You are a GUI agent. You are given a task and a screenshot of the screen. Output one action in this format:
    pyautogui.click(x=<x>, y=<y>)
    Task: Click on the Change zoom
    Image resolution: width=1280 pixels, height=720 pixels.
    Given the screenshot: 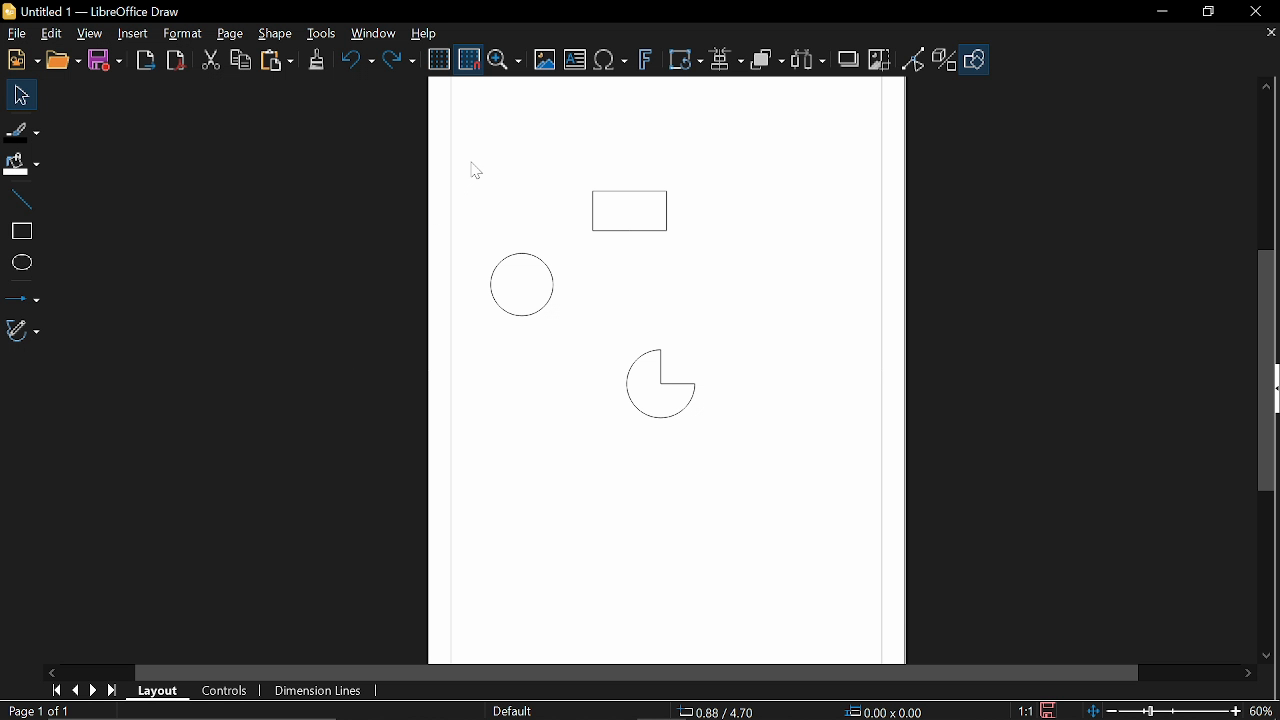 What is the action you would take?
    pyautogui.click(x=1159, y=710)
    